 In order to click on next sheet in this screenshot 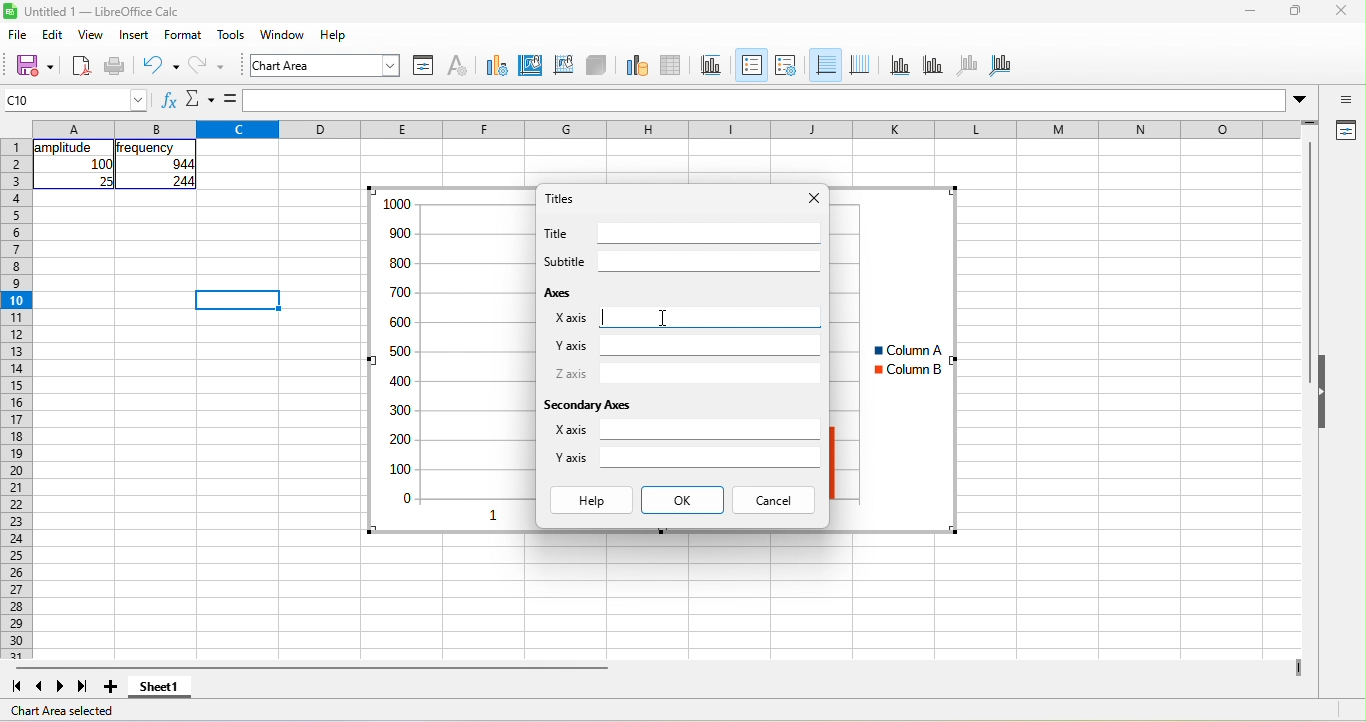, I will do `click(60, 687)`.